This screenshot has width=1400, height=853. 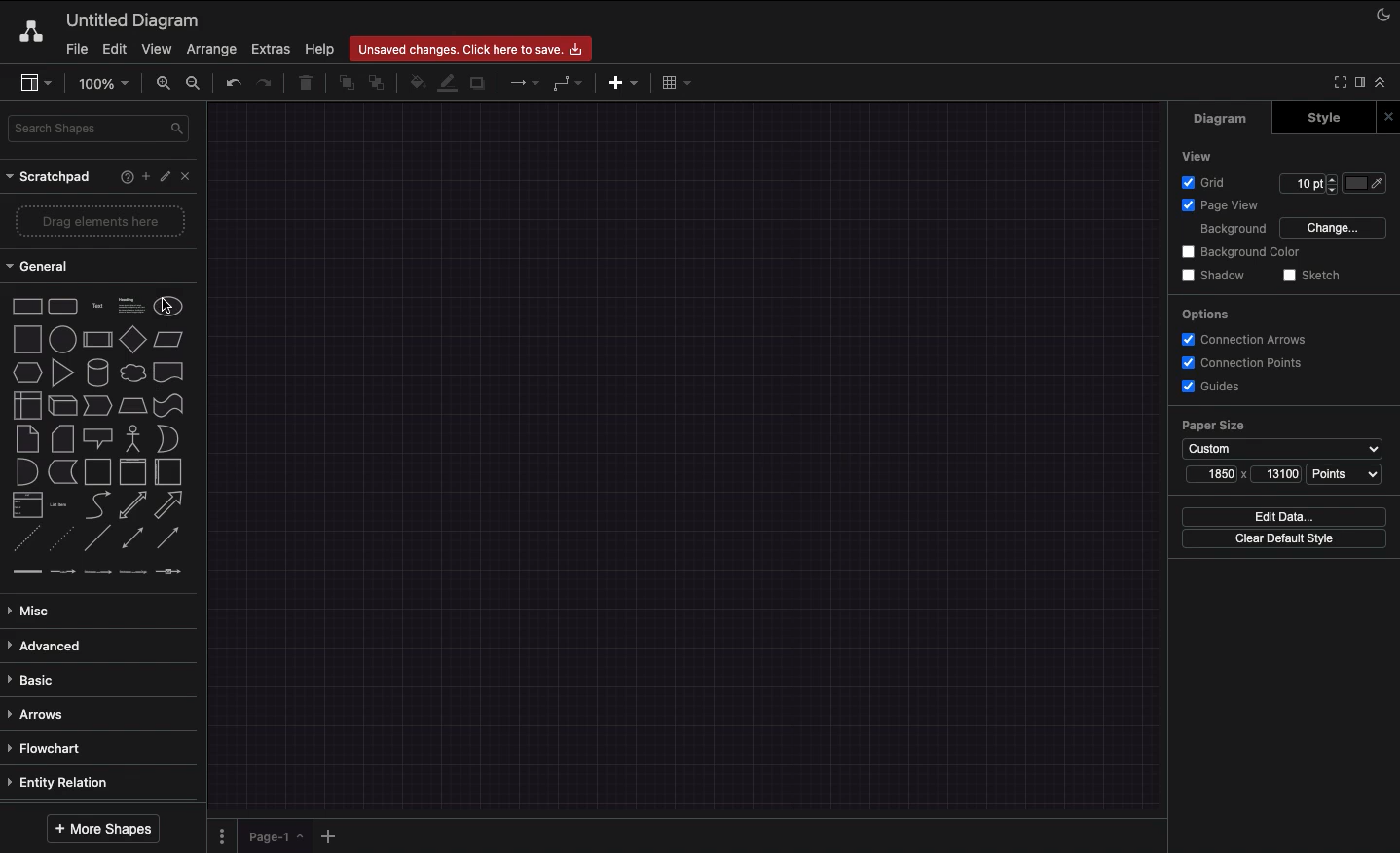 I want to click on Trapezoid, so click(x=130, y=406).